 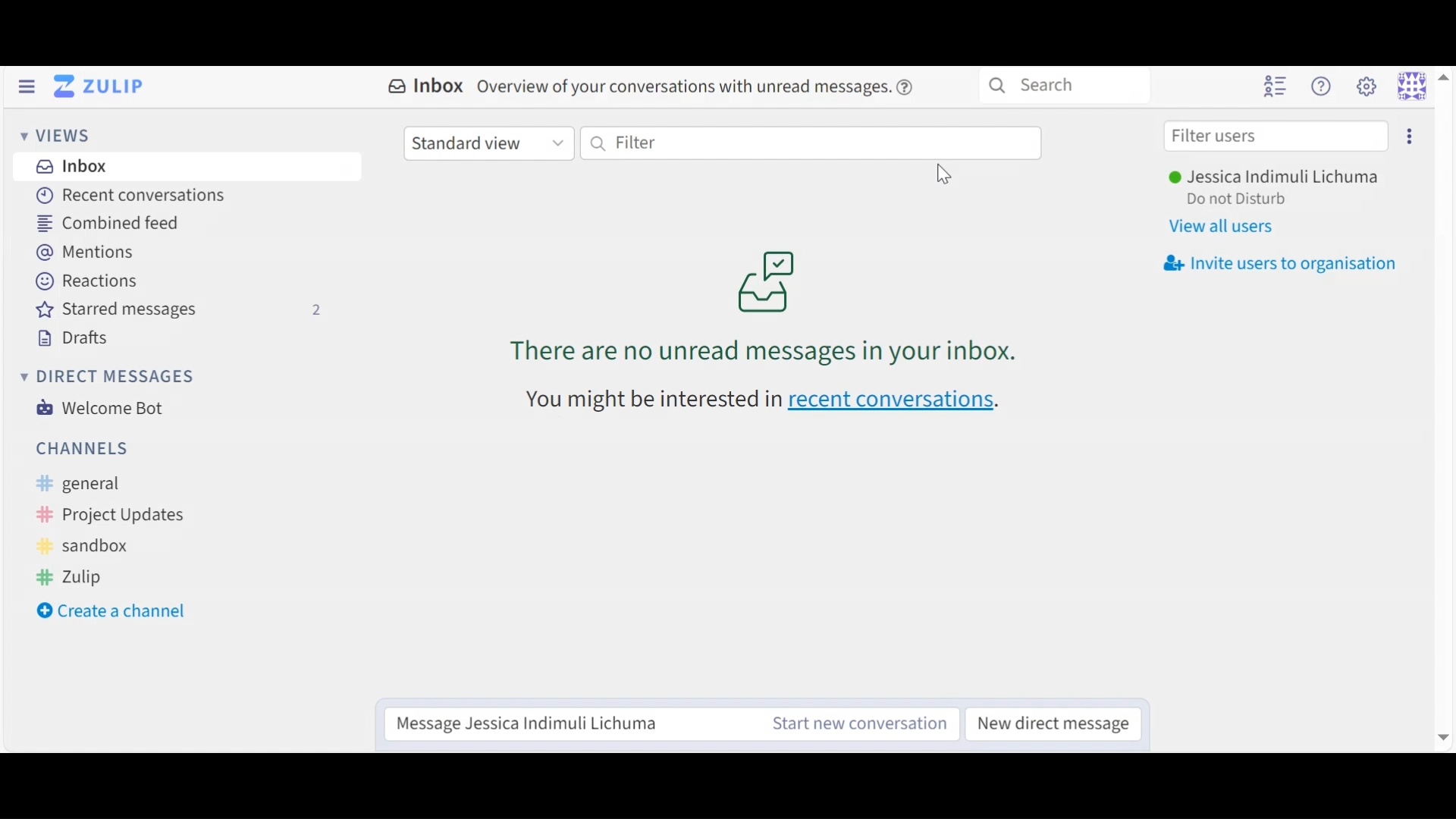 I want to click on Start a conversation, so click(x=853, y=723).